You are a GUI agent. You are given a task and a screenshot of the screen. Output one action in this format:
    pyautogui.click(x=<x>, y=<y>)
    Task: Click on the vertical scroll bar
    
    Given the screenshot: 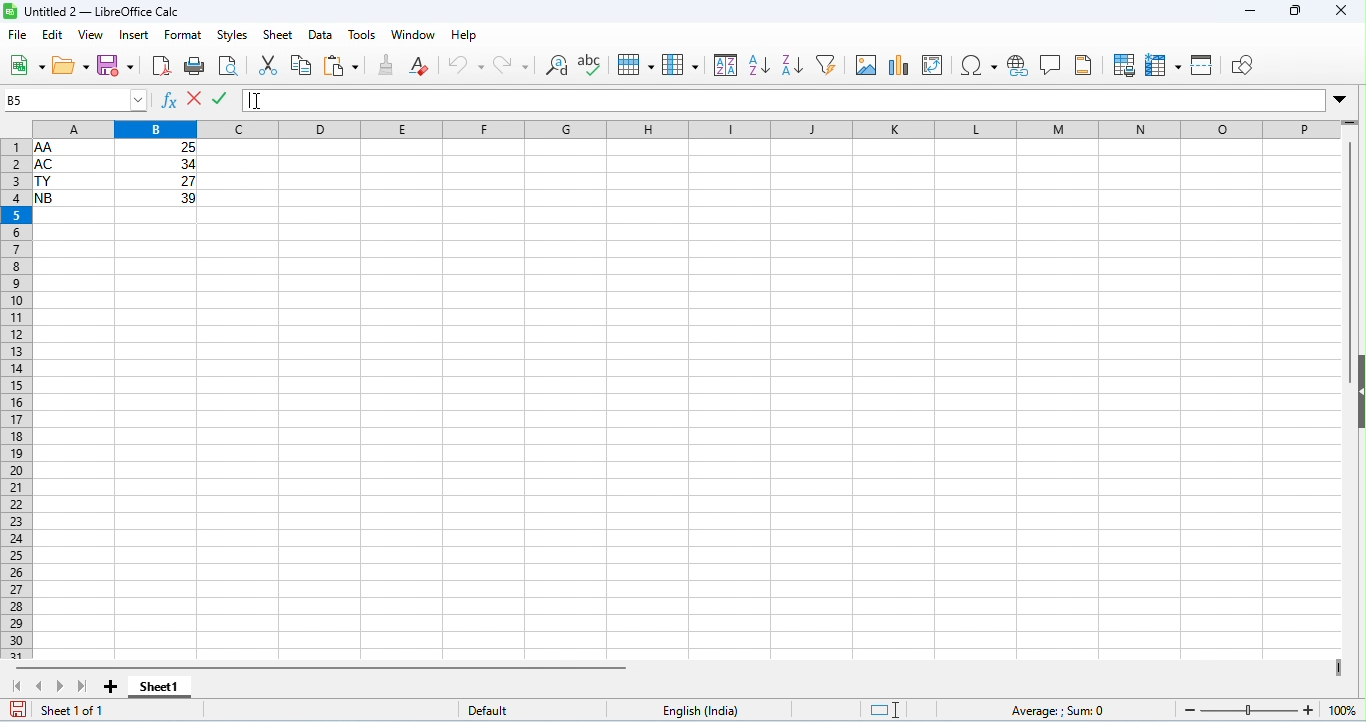 What is the action you would take?
    pyautogui.click(x=1354, y=242)
    